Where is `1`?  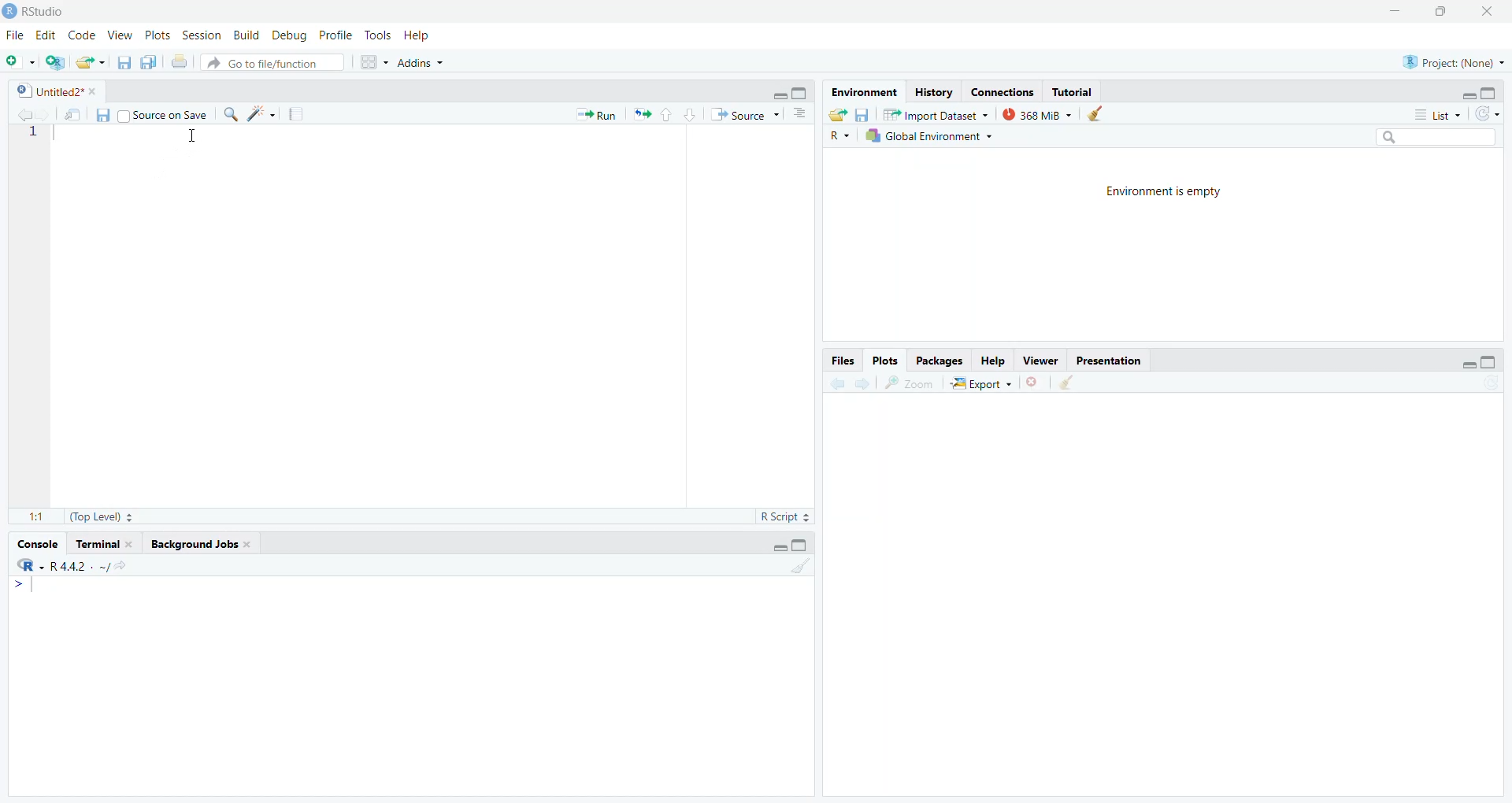
1 is located at coordinates (43, 137).